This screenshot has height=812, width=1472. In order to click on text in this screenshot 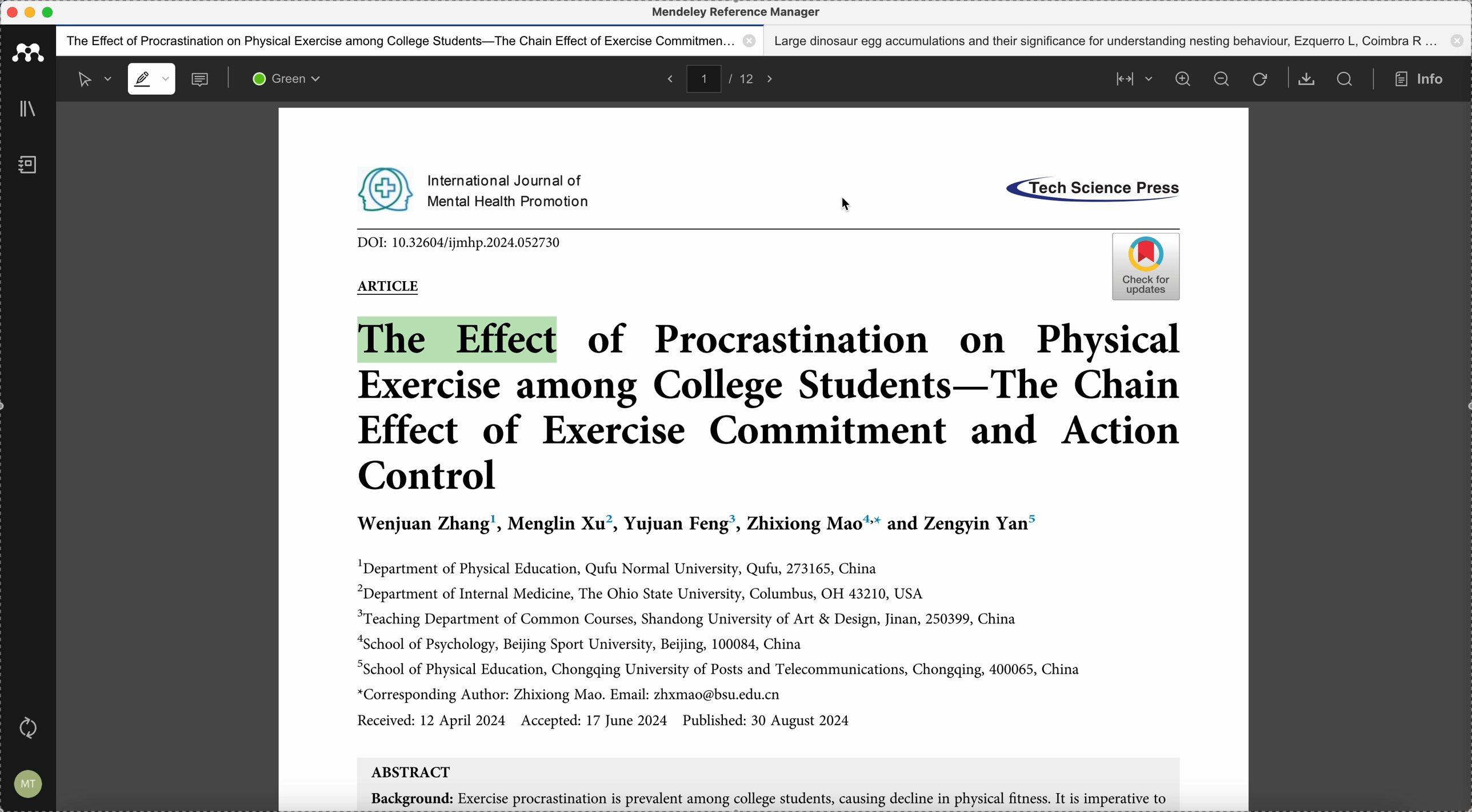, I will do `click(475, 189)`.